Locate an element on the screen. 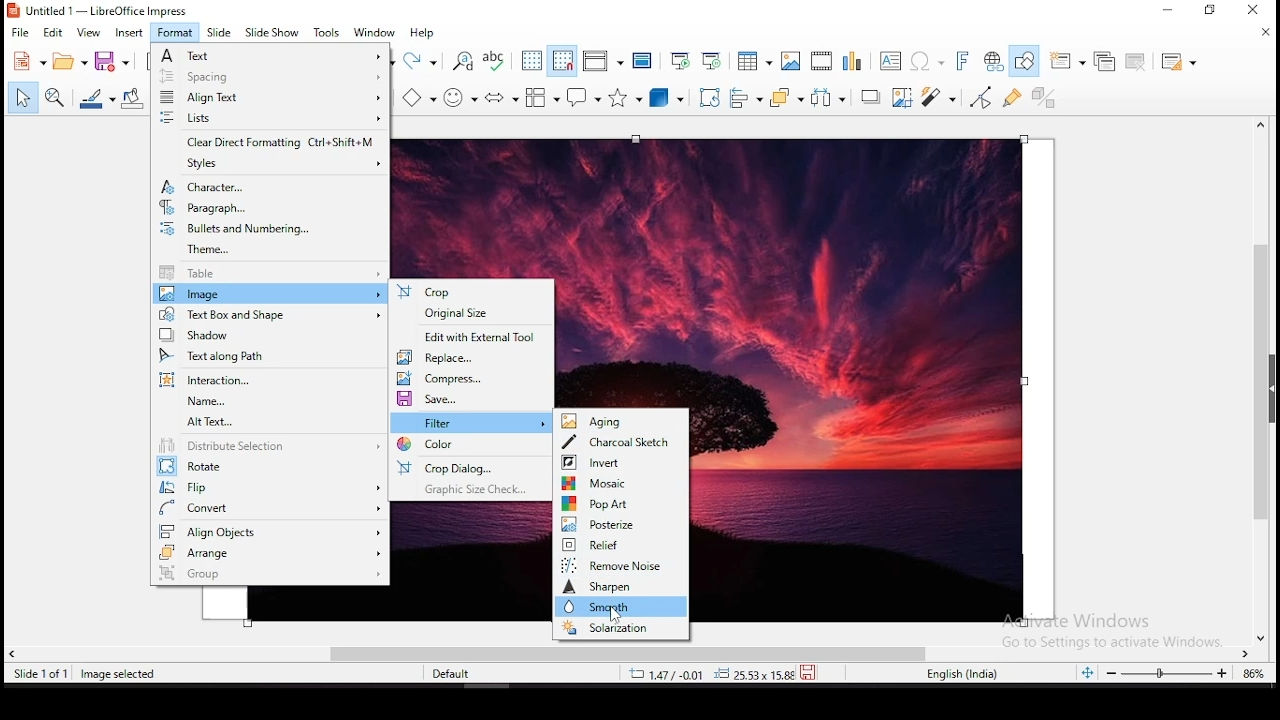 The image size is (1280, 720). new slide is located at coordinates (1068, 60).